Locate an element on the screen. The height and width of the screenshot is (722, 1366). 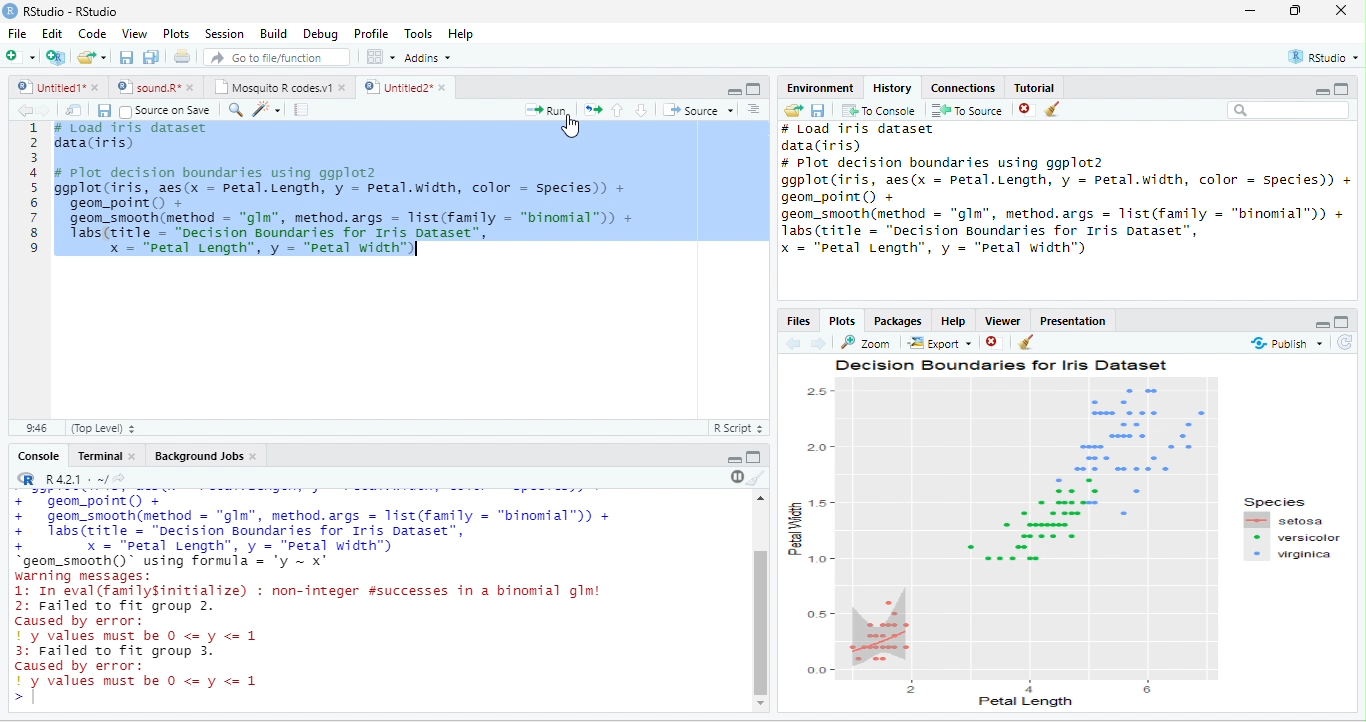
versicolor is located at coordinates (1294, 538).